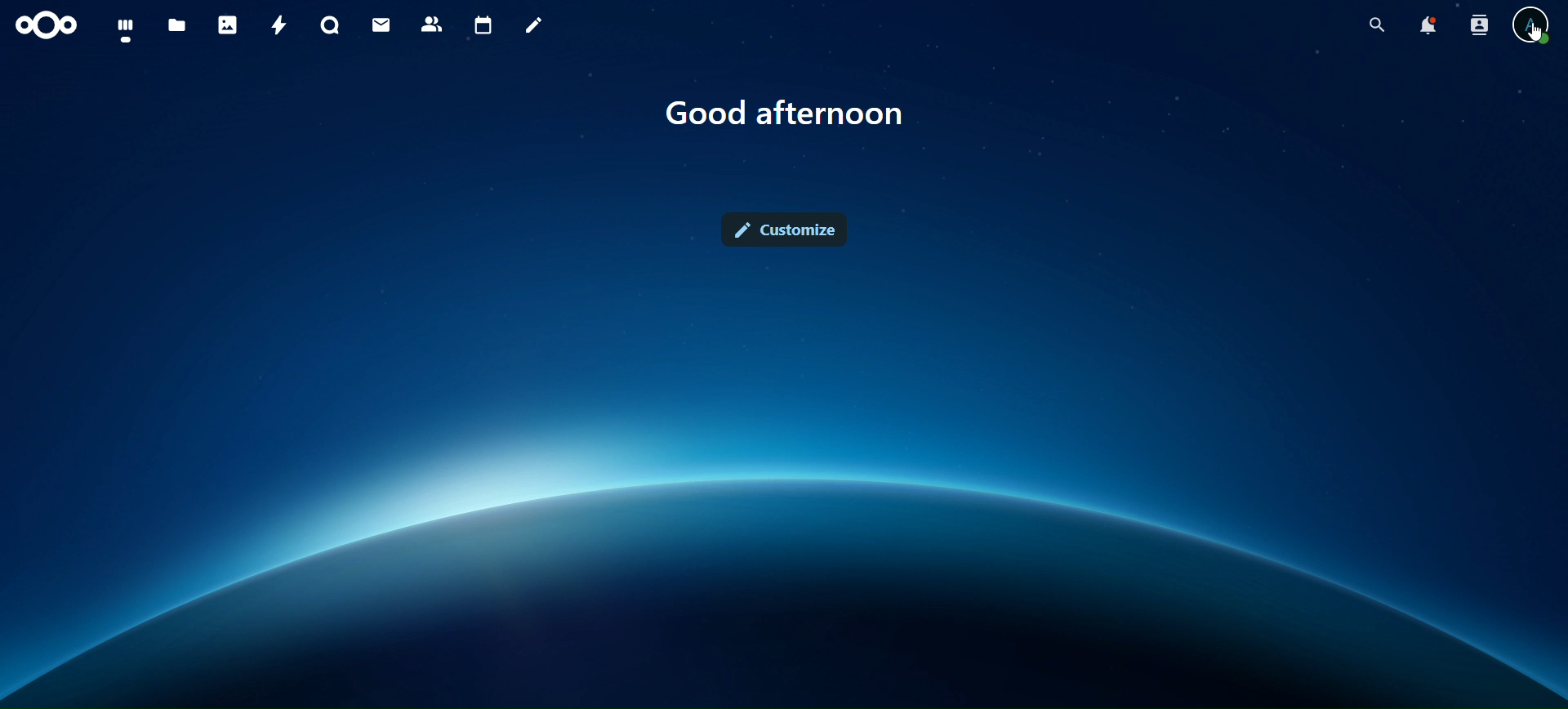 This screenshot has height=709, width=1568. I want to click on search contacts, so click(1477, 27).